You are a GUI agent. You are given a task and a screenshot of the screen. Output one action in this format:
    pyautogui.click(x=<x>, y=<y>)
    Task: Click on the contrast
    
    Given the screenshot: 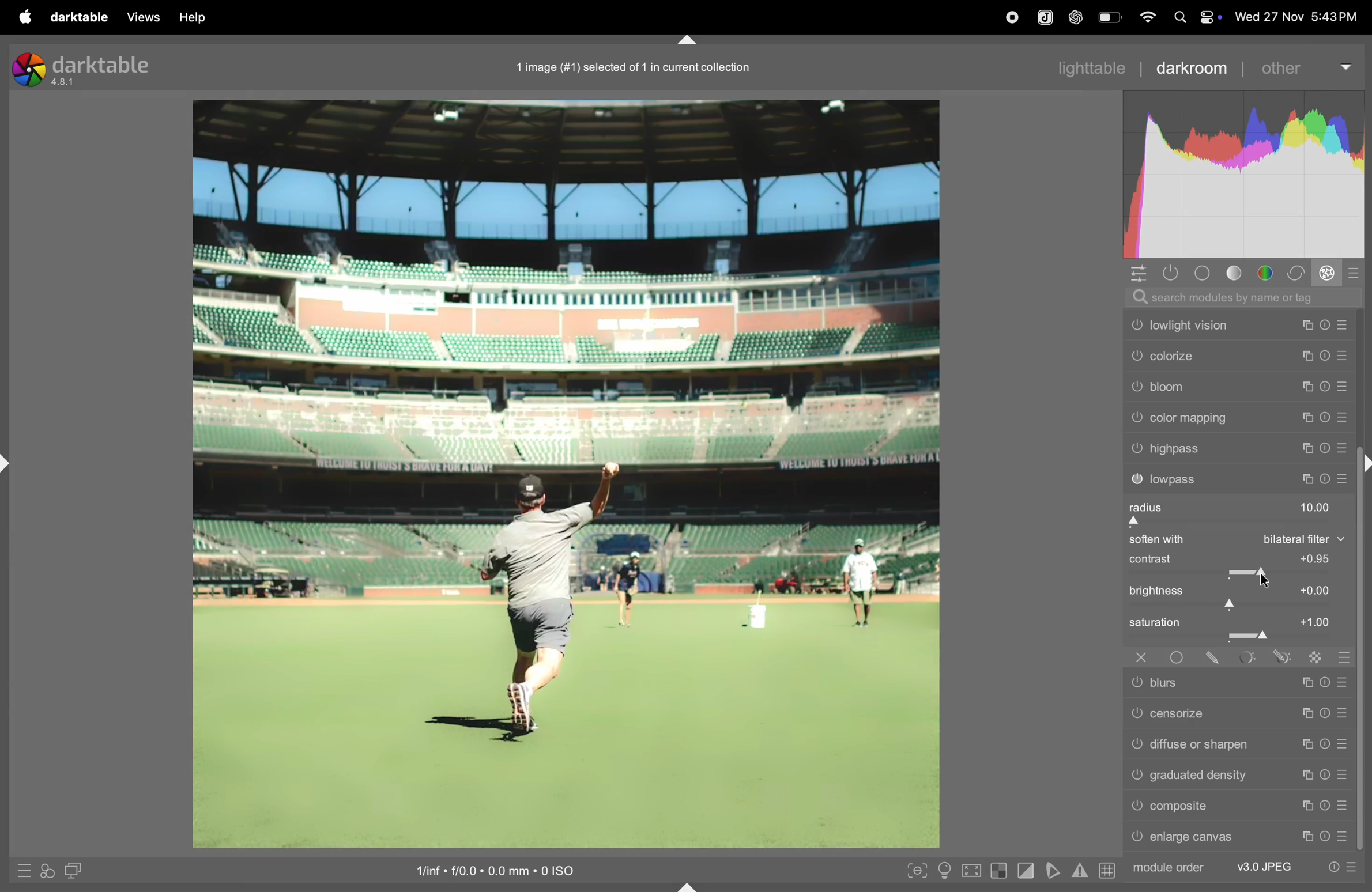 What is the action you would take?
    pyautogui.click(x=1234, y=567)
    